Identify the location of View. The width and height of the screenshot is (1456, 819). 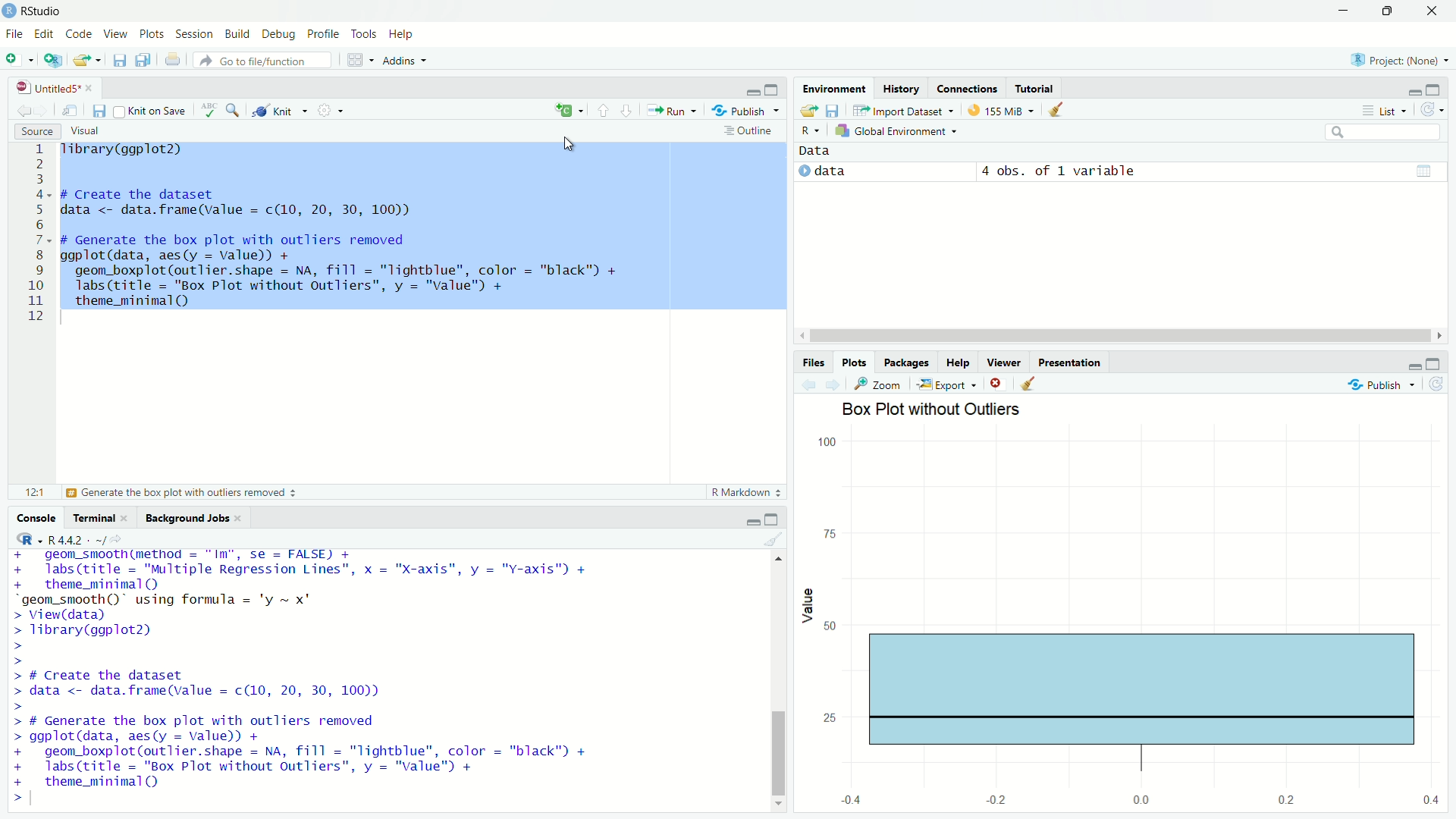
(114, 35).